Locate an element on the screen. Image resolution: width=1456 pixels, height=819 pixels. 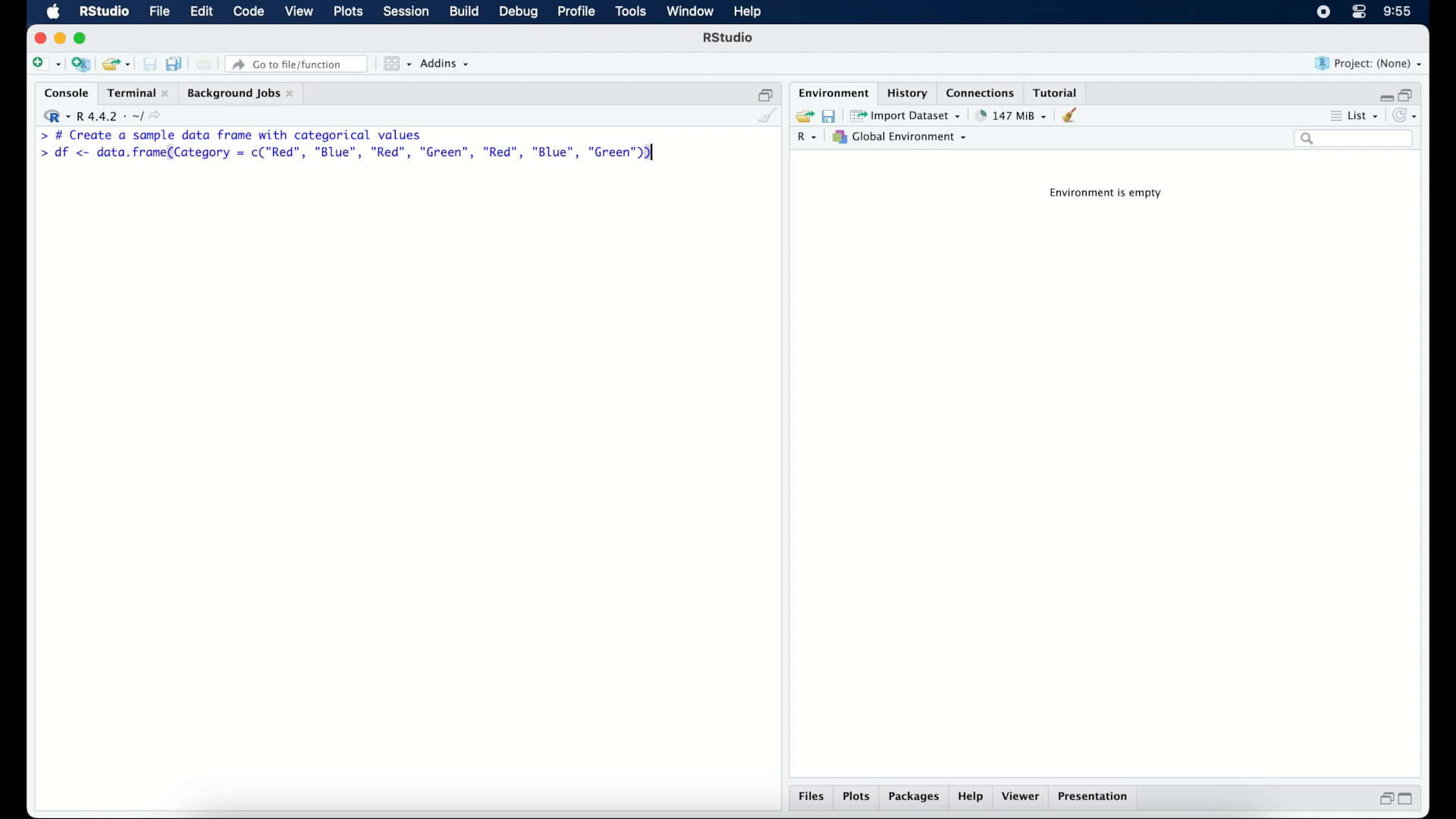
save is located at coordinates (828, 116).